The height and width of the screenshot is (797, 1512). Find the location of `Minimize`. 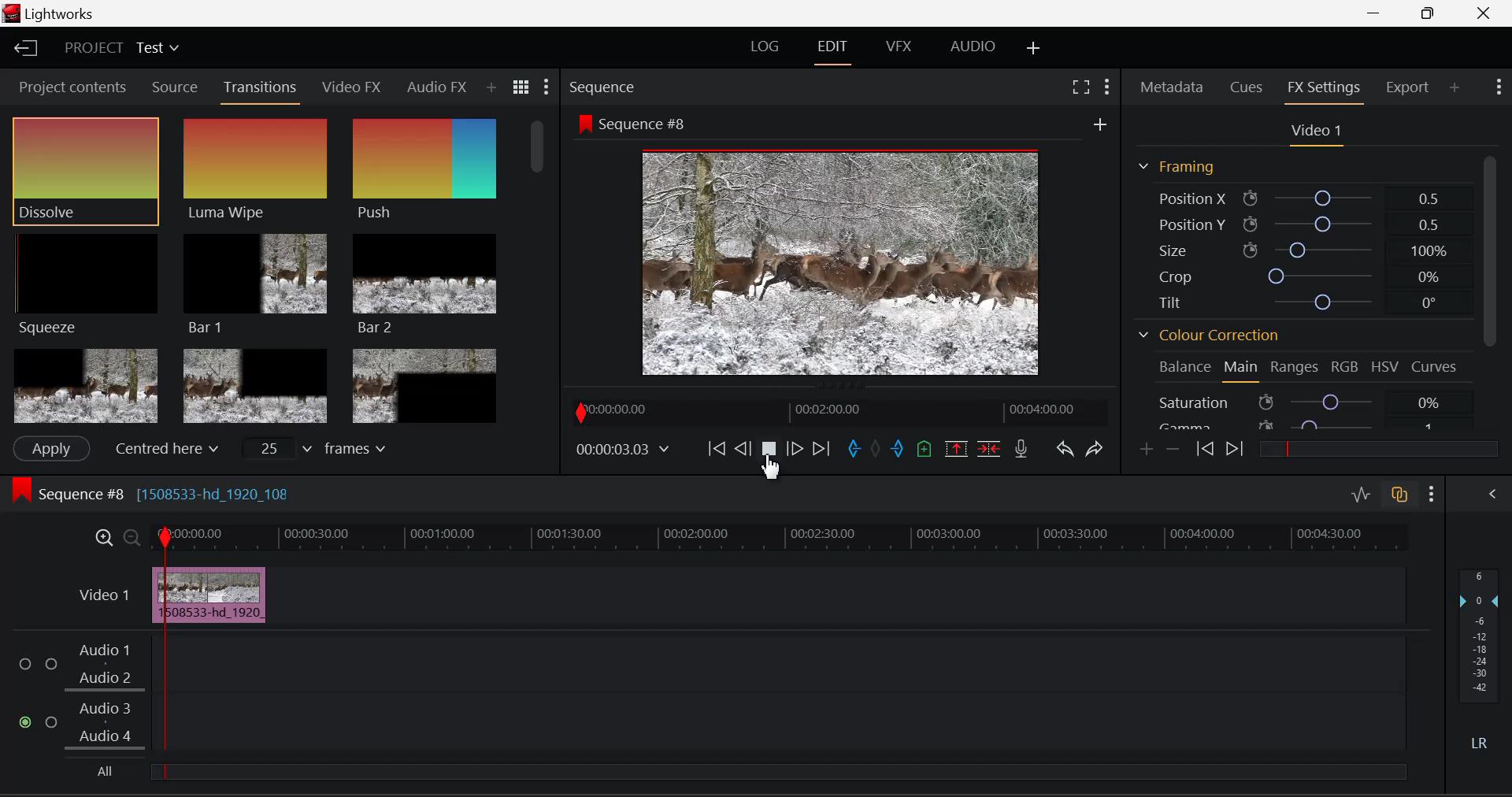

Minimize is located at coordinates (1431, 14).